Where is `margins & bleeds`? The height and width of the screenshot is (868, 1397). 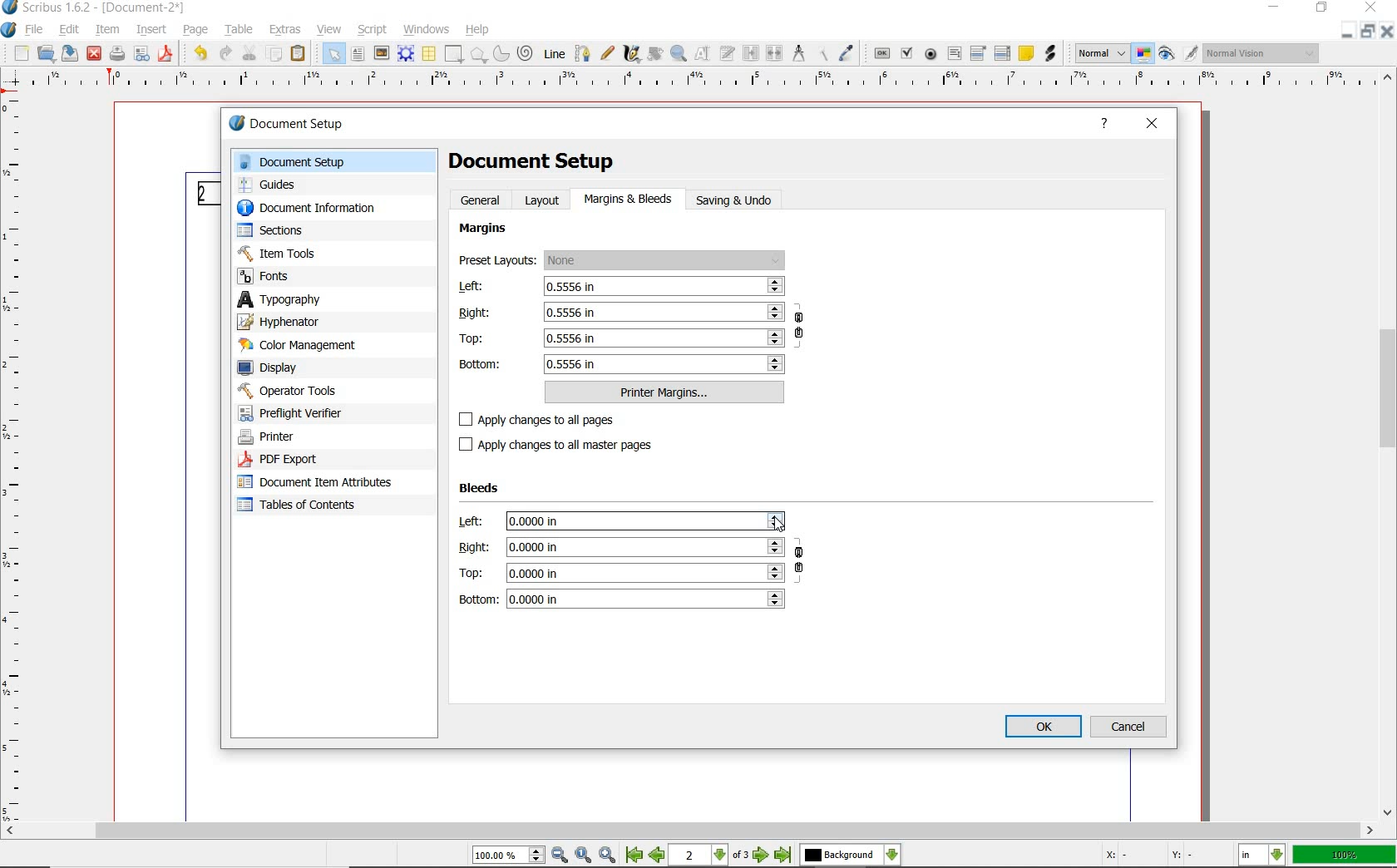 margins & bleeds is located at coordinates (629, 200).